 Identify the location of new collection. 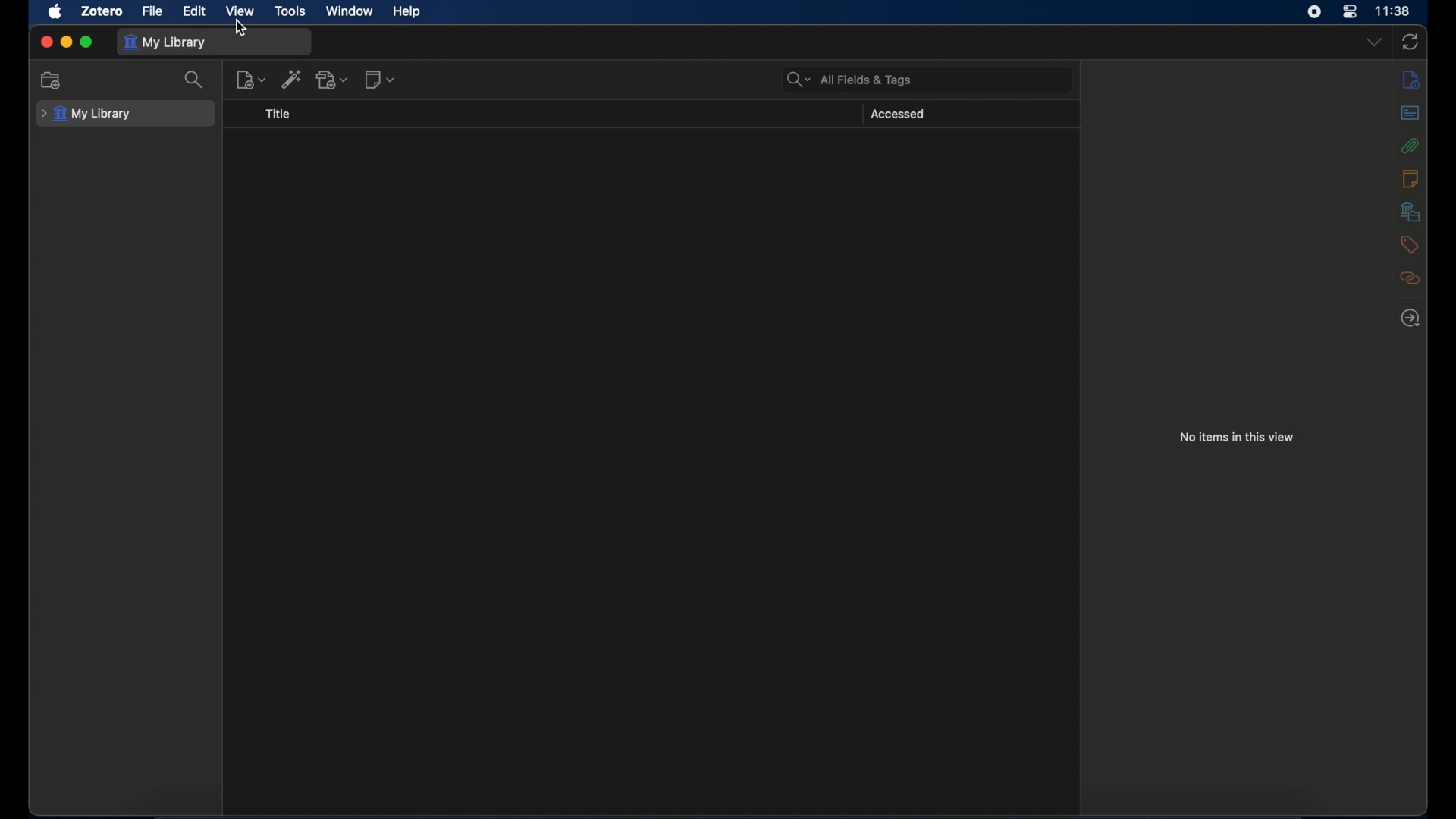
(51, 80).